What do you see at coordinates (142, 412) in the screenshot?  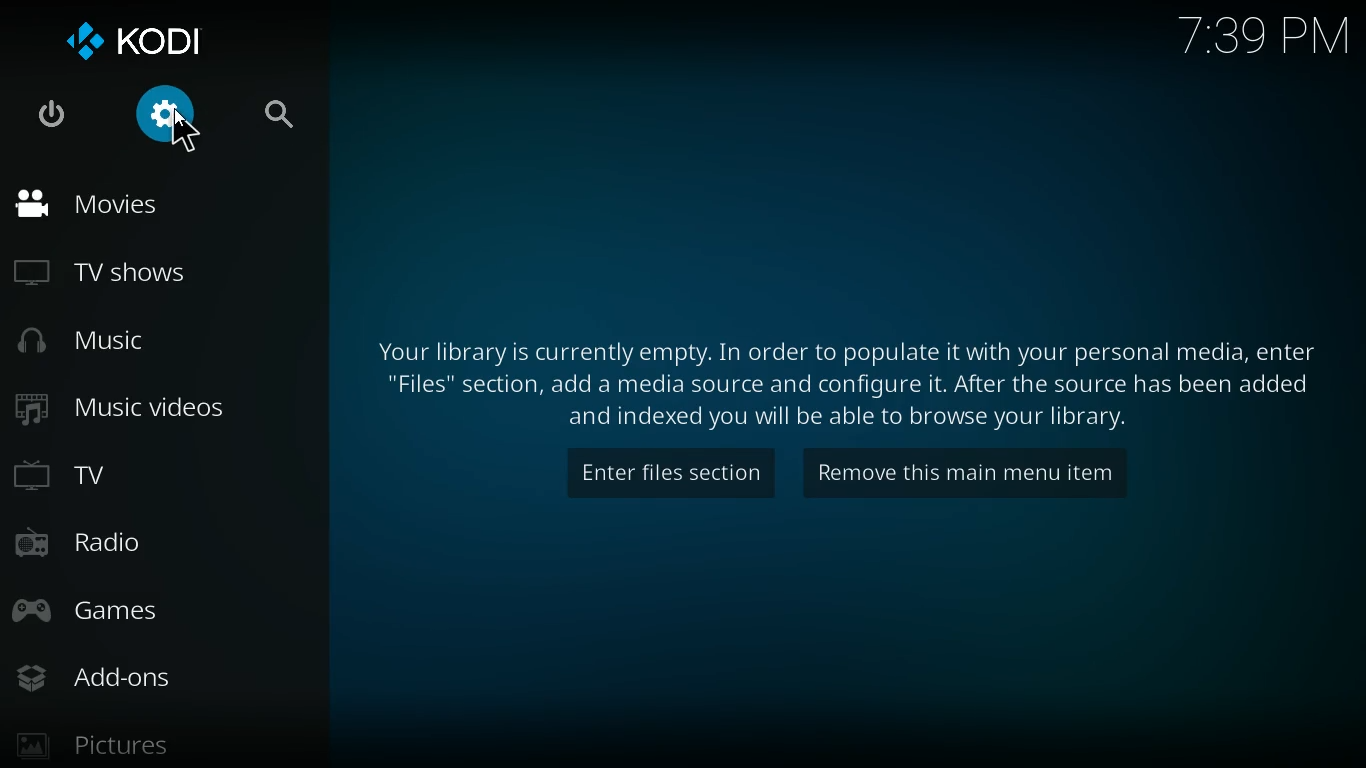 I see `music videos` at bounding box center [142, 412].